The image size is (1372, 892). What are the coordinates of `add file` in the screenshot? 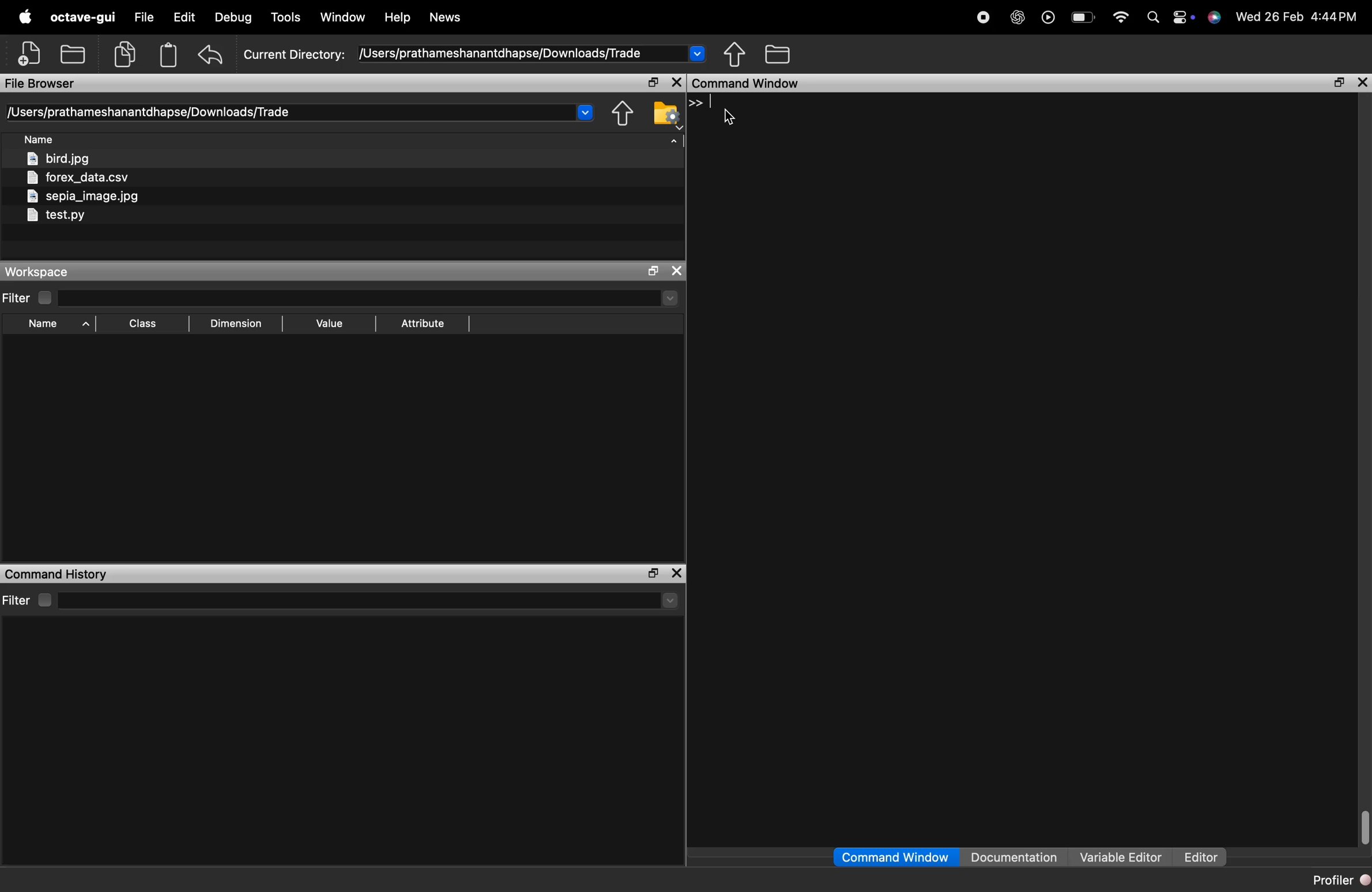 It's located at (31, 53).